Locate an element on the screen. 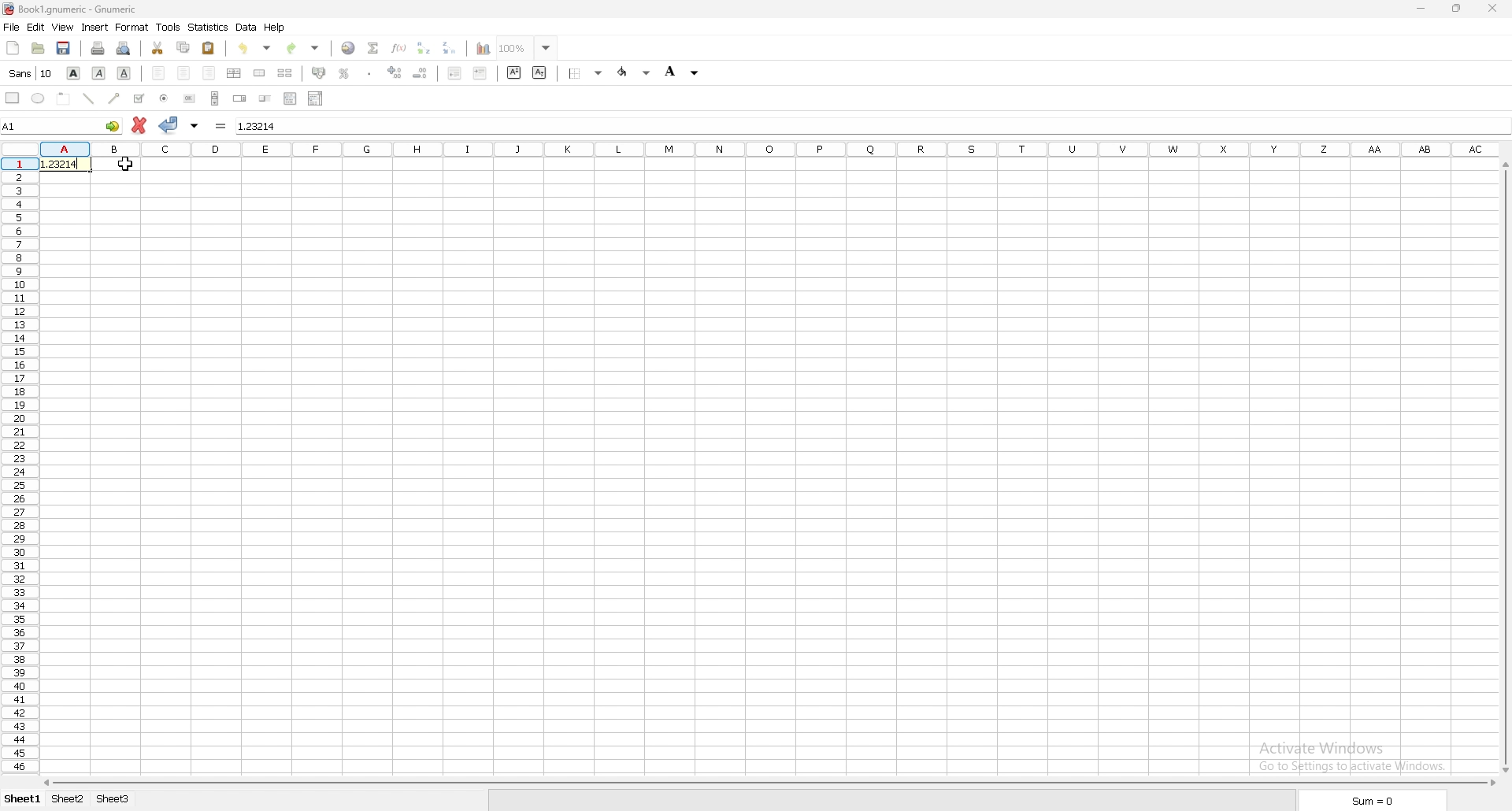 This screenshot has width=1512, height=811. list is located at coordinates (290, 98).